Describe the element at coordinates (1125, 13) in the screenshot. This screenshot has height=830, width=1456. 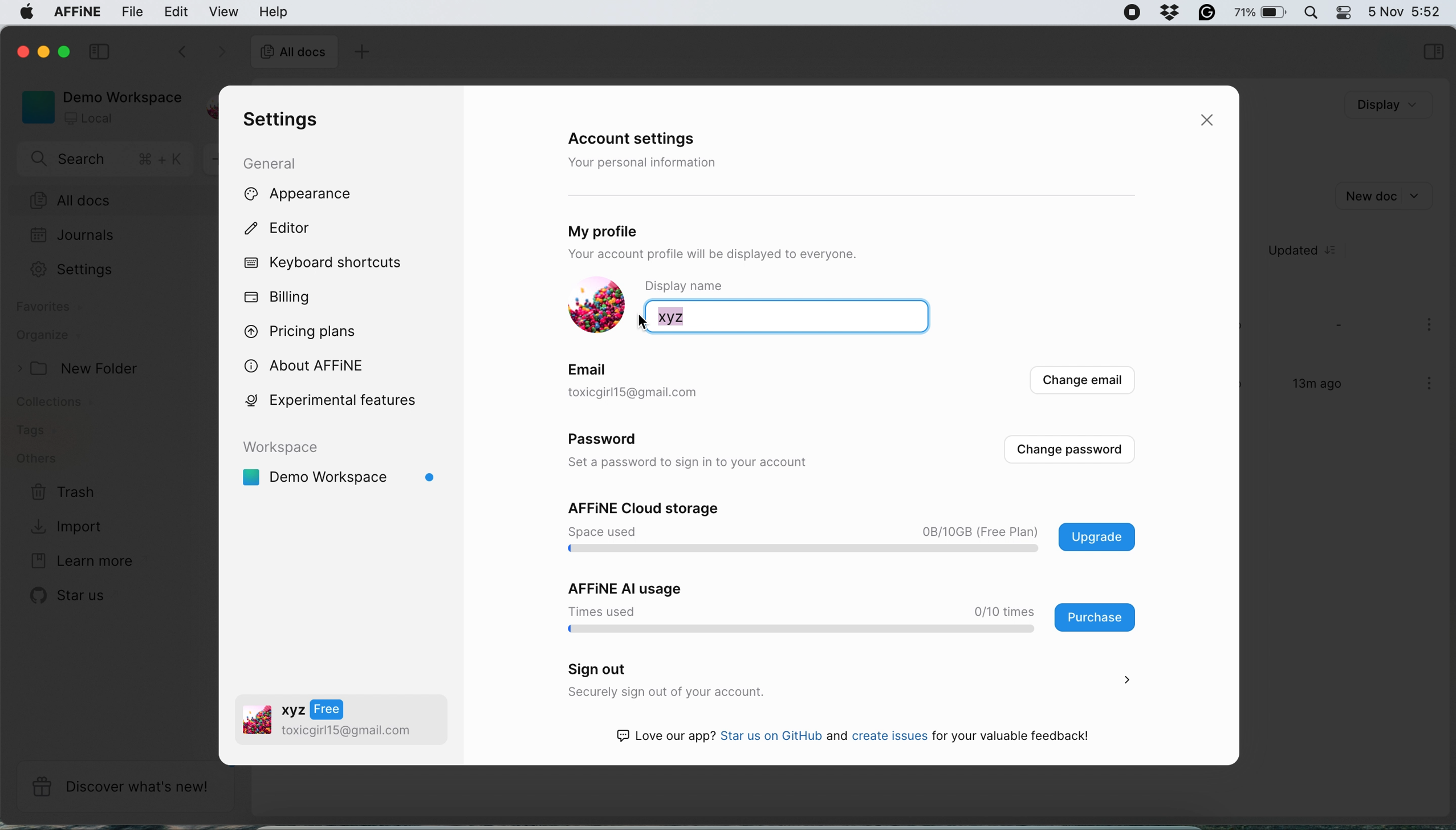
I see `screen recorder` at that location.